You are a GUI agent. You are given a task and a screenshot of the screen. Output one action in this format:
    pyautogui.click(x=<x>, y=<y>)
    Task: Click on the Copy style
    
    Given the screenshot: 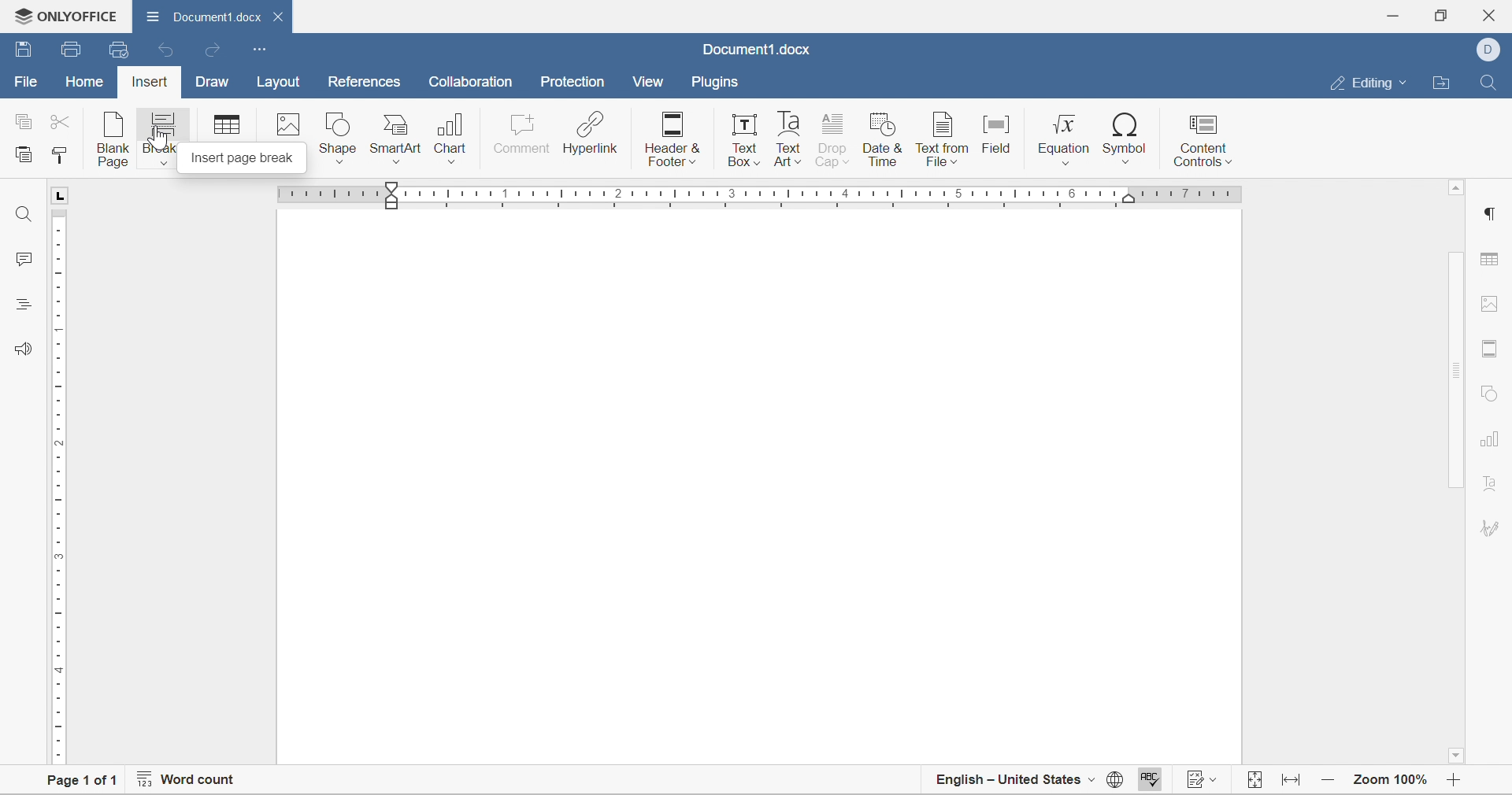 What is the action you would take?
    pyautogui.click(x=60, y=156)
    